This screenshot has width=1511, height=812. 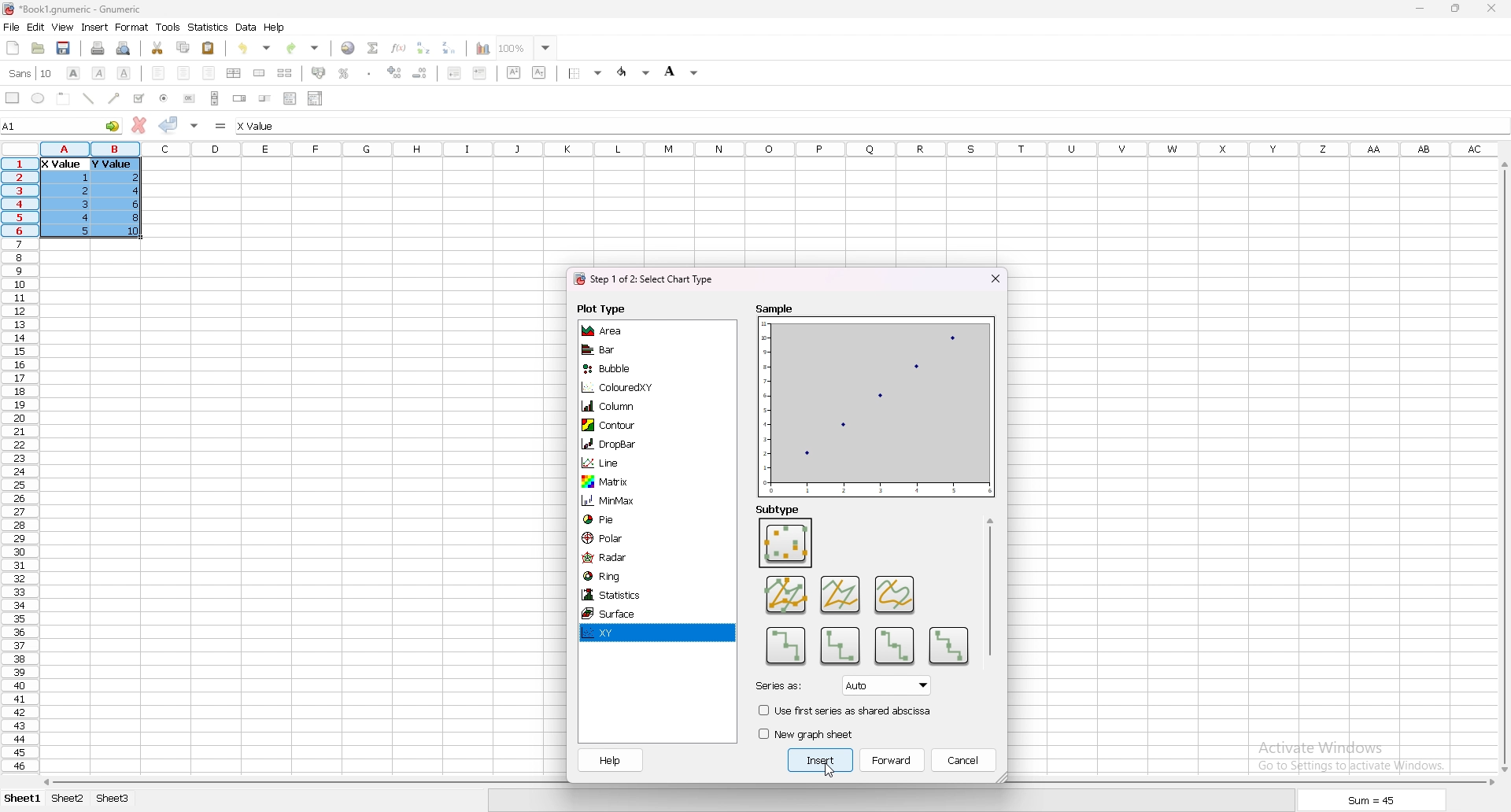 What do you see at coordinates (779, 509) in the screenshot?
I see `subtype` at bounding box center [779, 509].